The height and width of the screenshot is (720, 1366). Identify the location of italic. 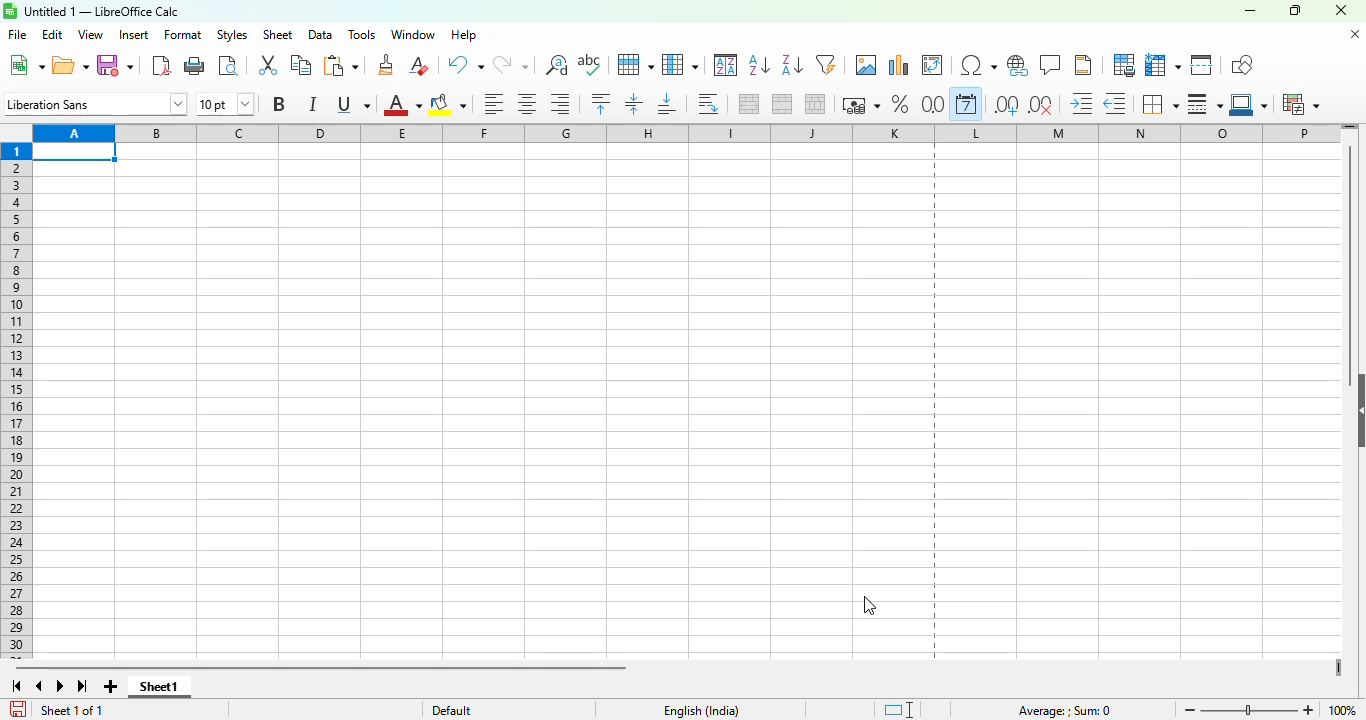
(312, 104).